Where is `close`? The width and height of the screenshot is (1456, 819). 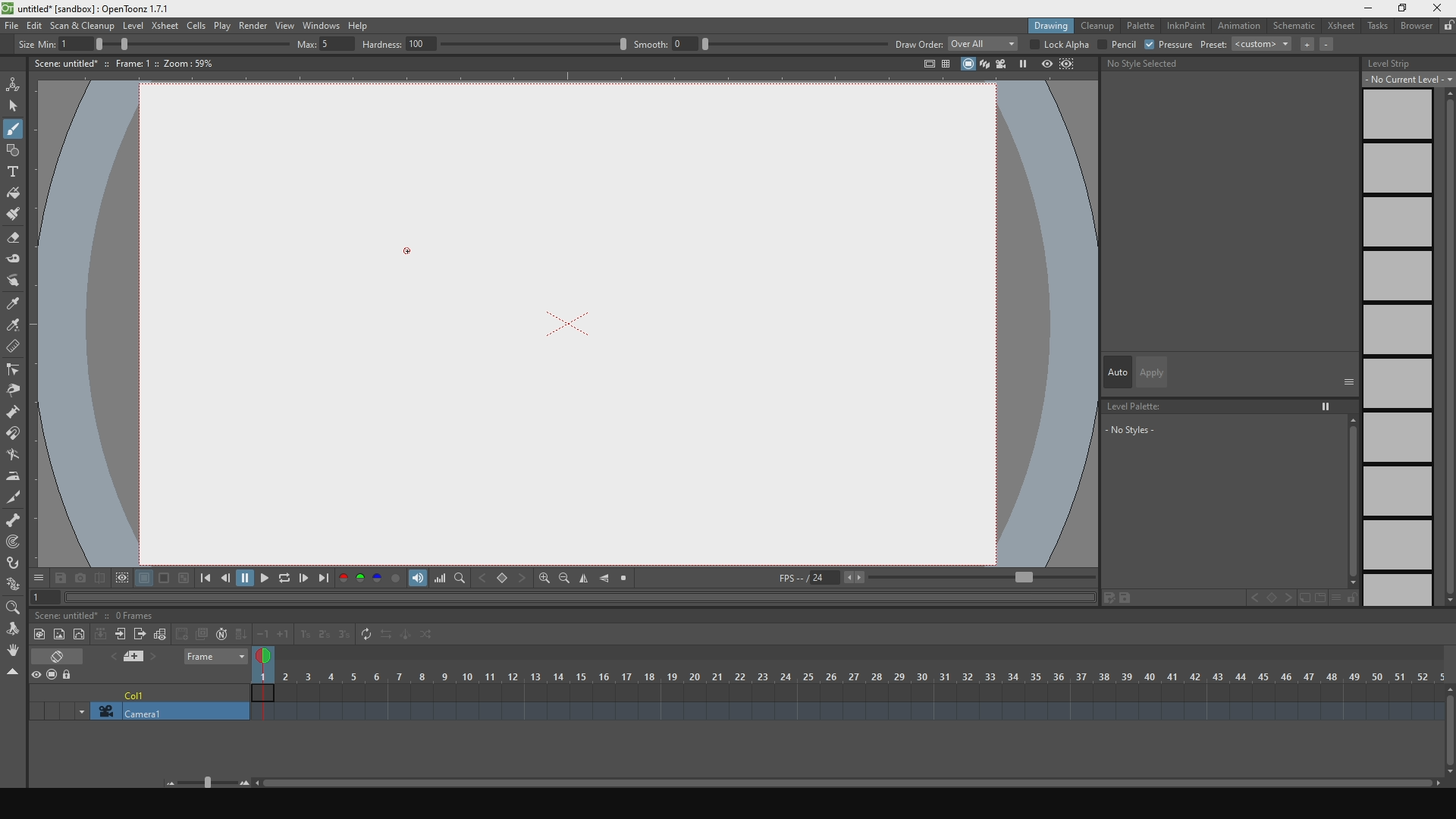 close is located at coordinates (1438, 8).